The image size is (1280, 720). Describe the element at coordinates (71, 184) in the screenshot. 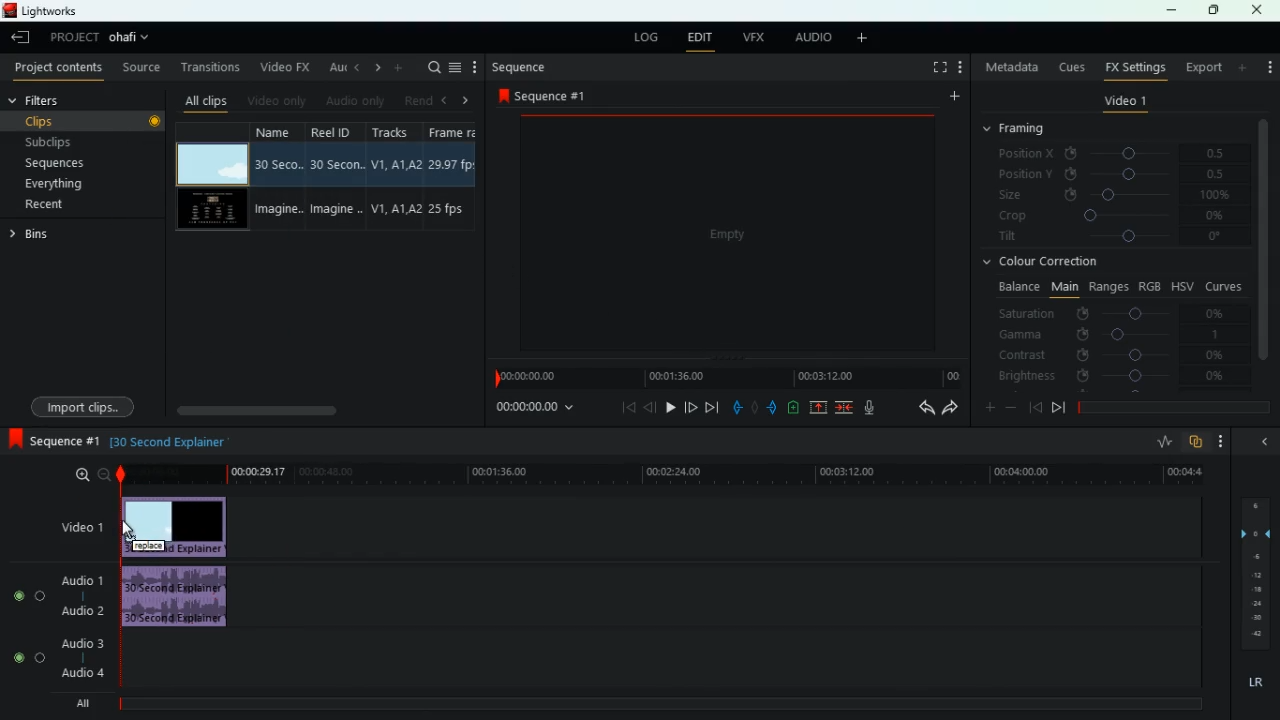

I see `everything` at that location.